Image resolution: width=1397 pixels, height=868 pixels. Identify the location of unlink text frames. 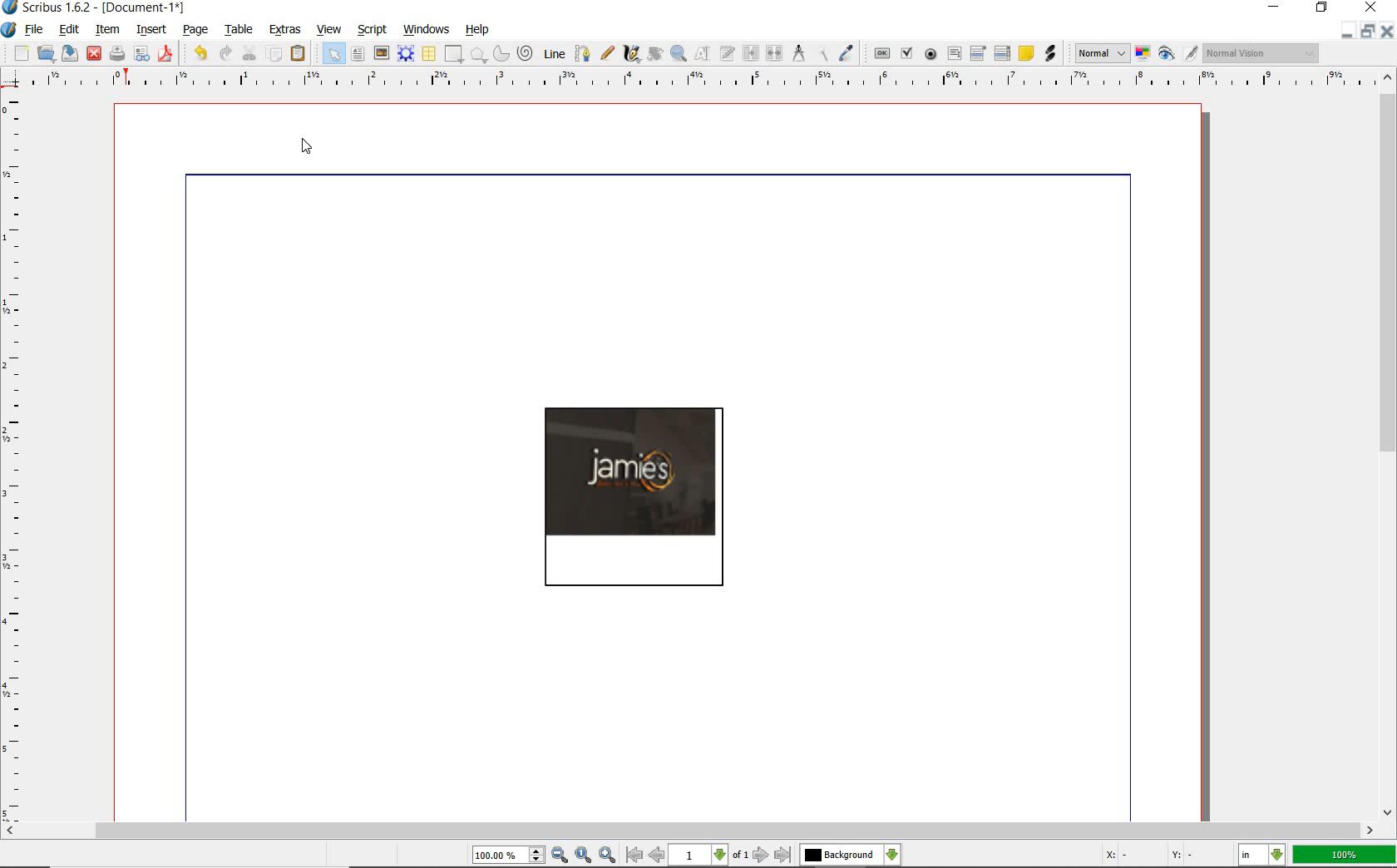
(775, 54).